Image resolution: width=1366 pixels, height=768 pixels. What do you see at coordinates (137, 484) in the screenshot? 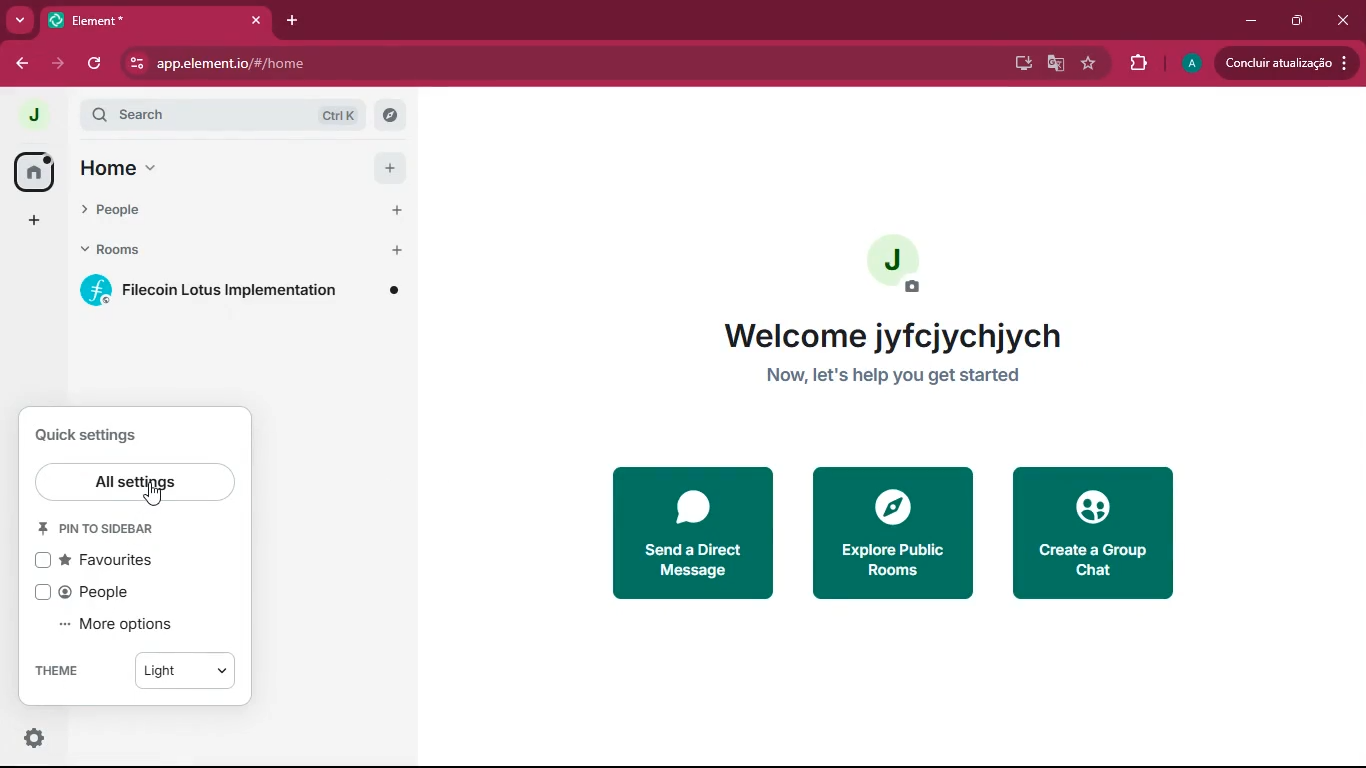
I see `all settings` at bounding box center [137, 484].